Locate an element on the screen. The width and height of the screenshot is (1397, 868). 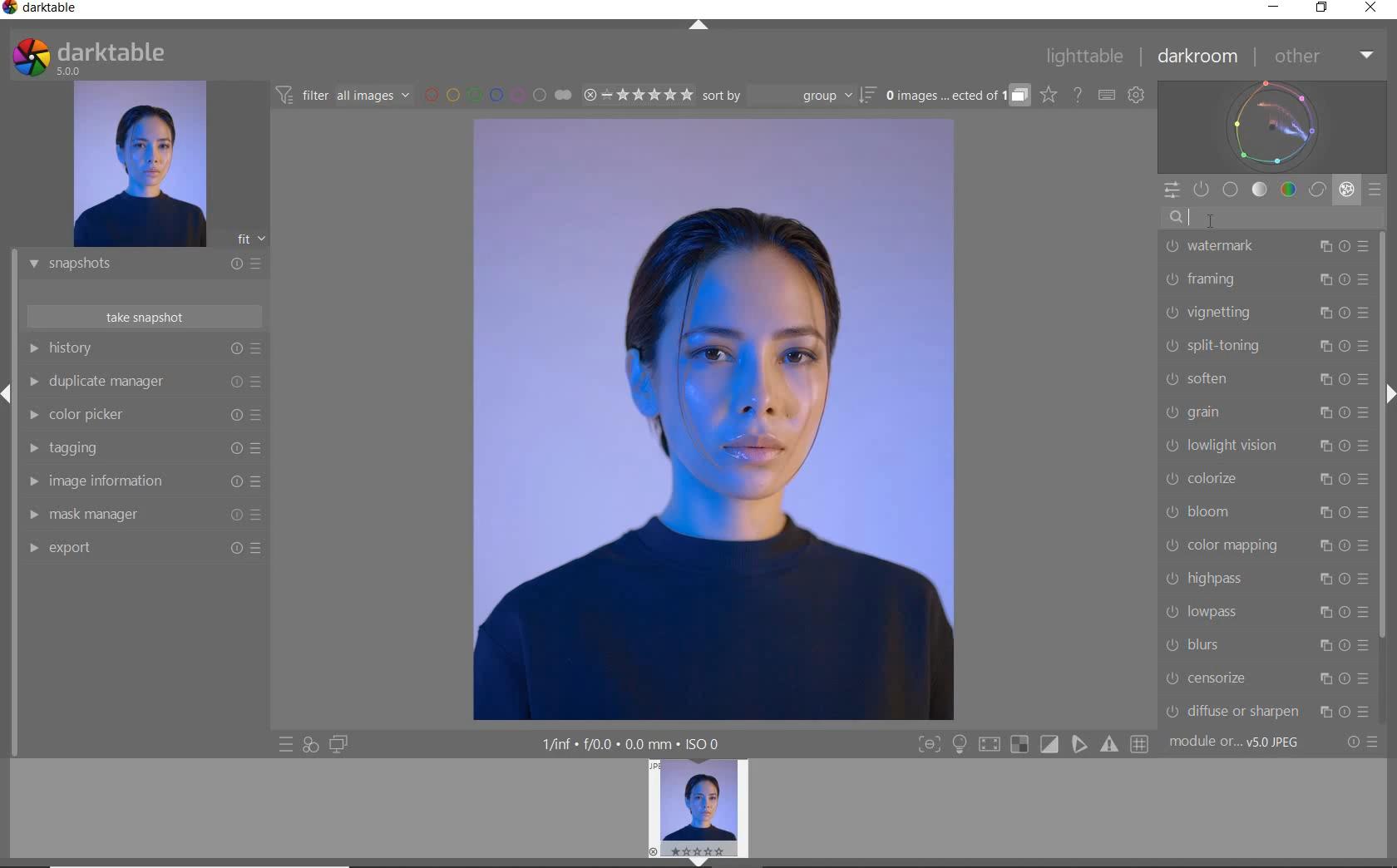
HISTORY is located at coordinates (146, 350).